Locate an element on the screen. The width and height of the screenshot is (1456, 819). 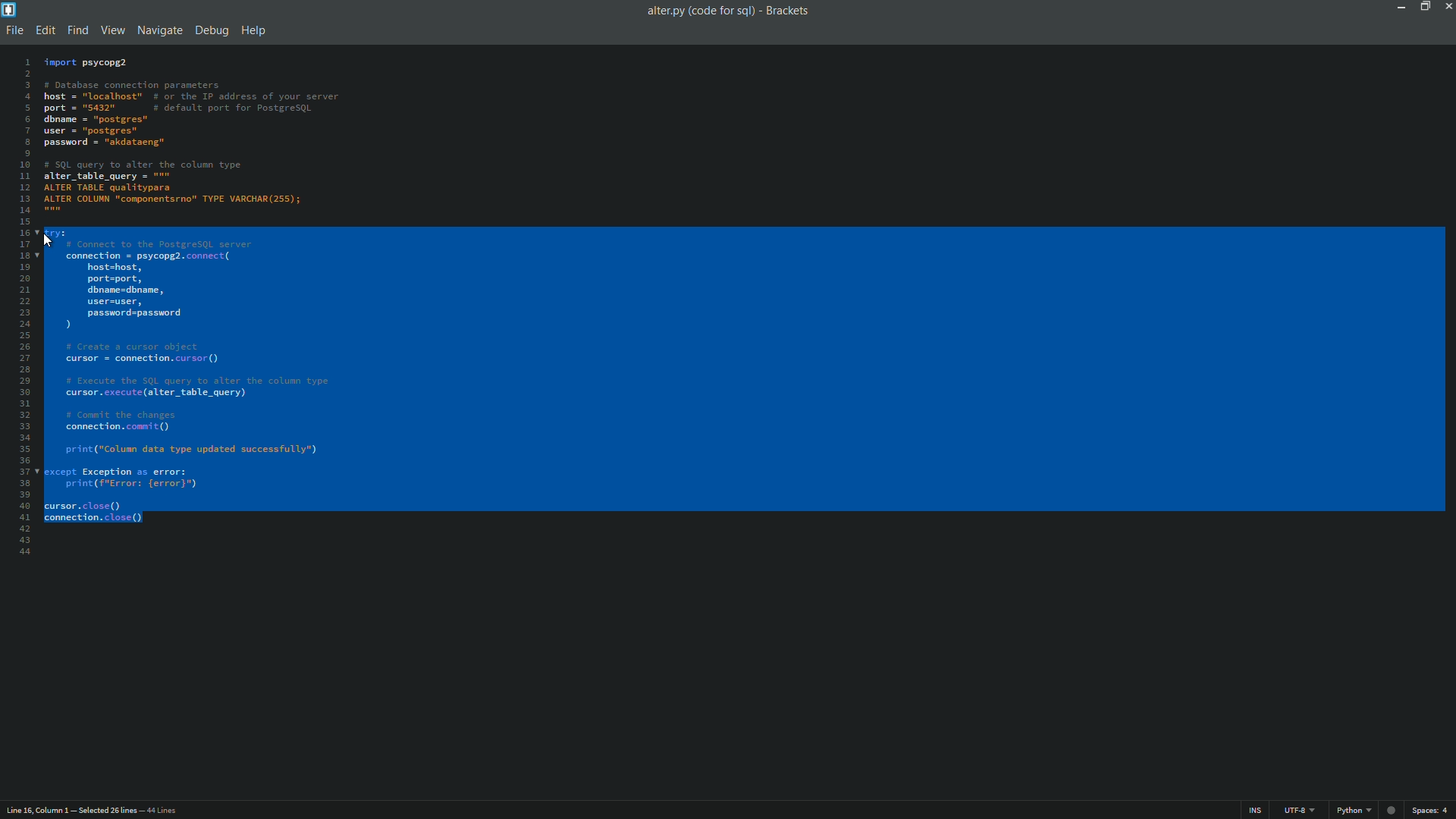
minimize is located at coordinates (1398, 6).